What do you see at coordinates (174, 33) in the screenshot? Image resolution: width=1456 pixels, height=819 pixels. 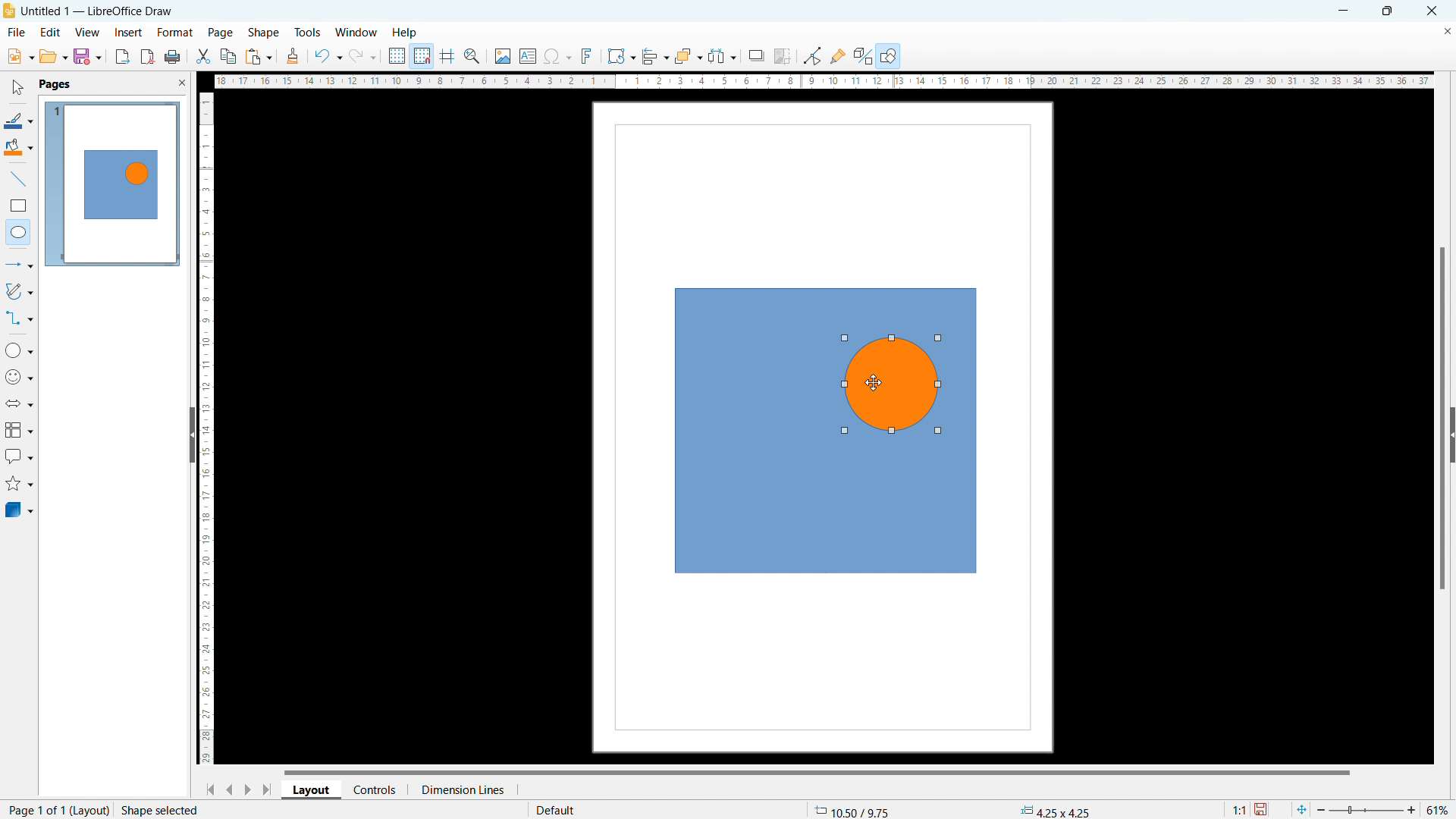 I see `format` at bounding box center [174, 33].